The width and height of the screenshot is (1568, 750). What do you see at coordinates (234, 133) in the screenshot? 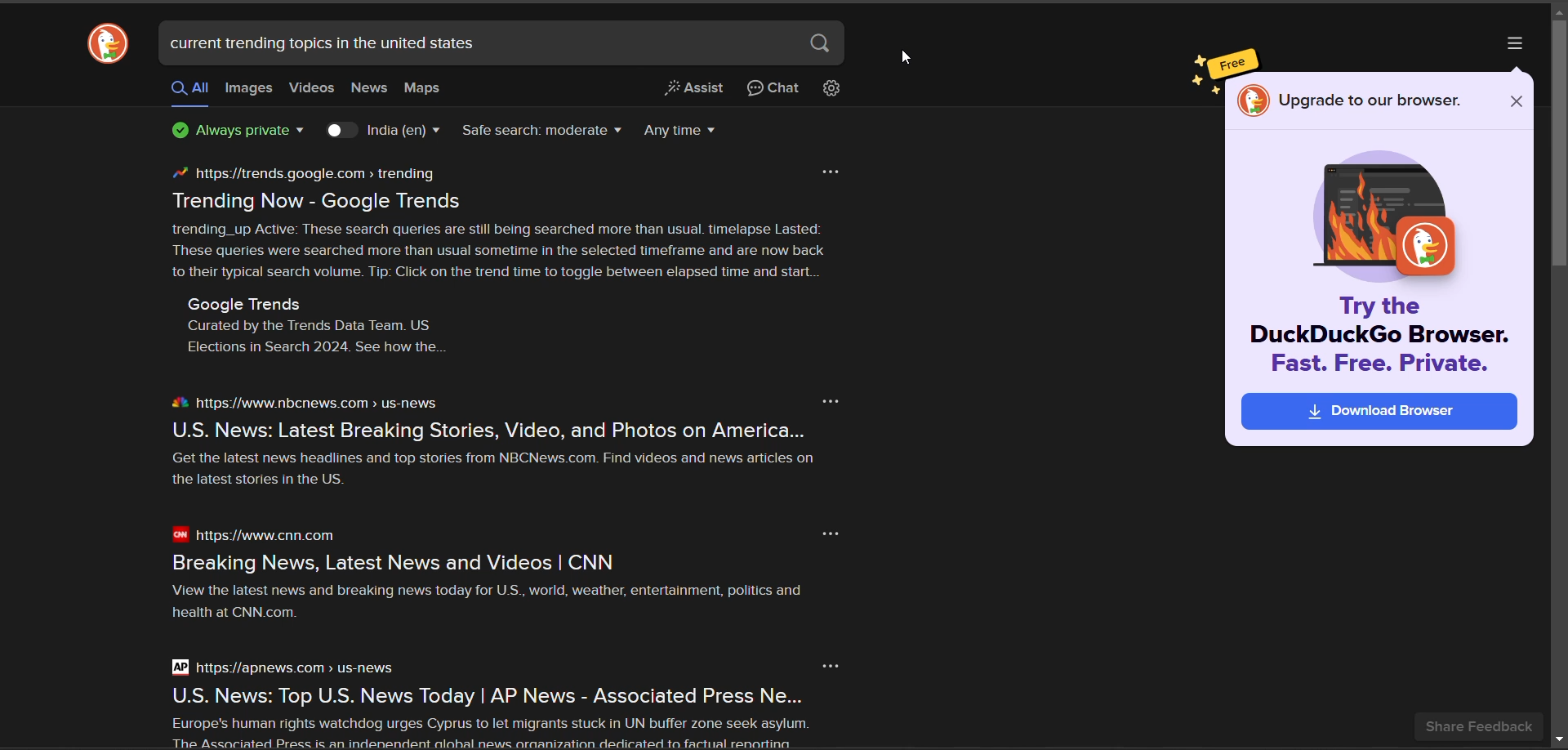
I see `privacy protection badge` at bounding box center [234, 133].